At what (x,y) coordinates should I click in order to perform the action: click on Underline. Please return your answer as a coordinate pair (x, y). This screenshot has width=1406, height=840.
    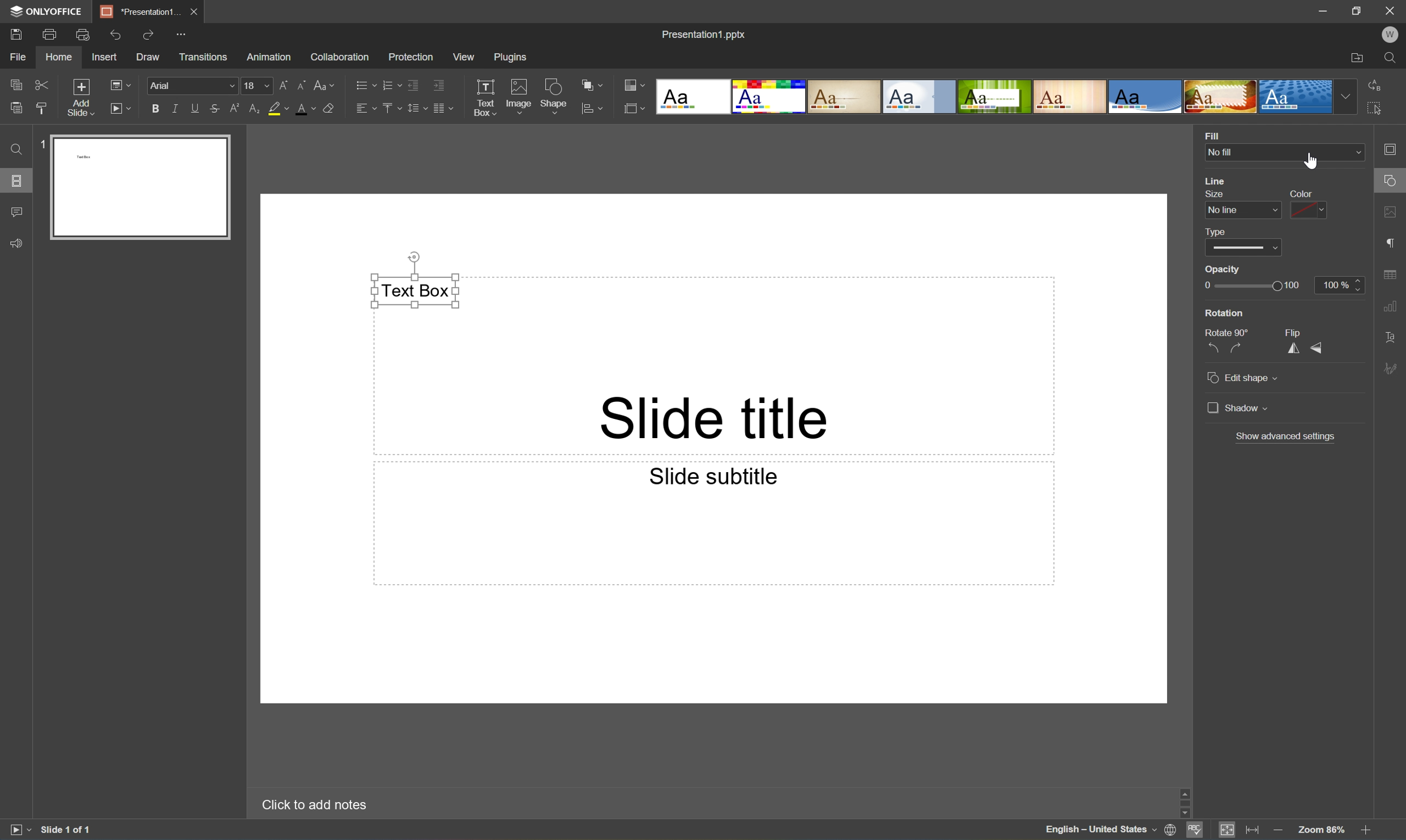
    Looking at the image, I should click on (193, 109).